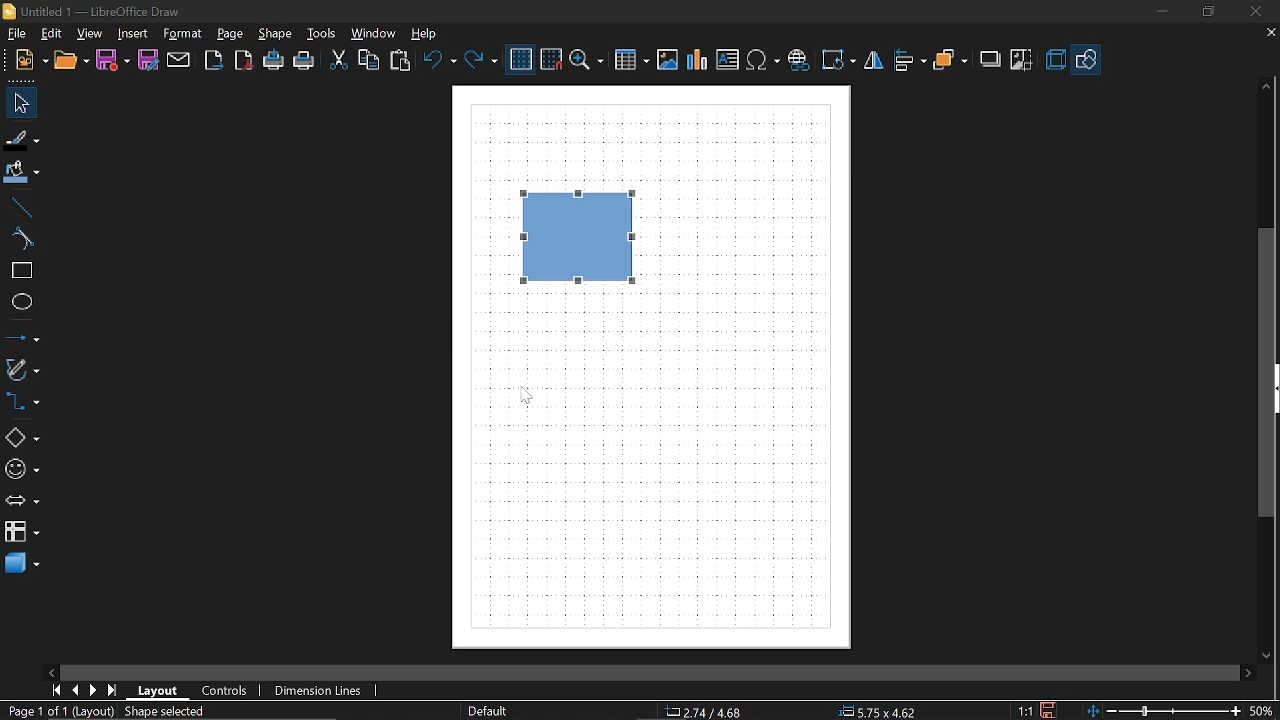 This screenshot has height=720, width=1280. Describe the element at coordinates (15, 34) in the screenshot. I see `File` at that location.